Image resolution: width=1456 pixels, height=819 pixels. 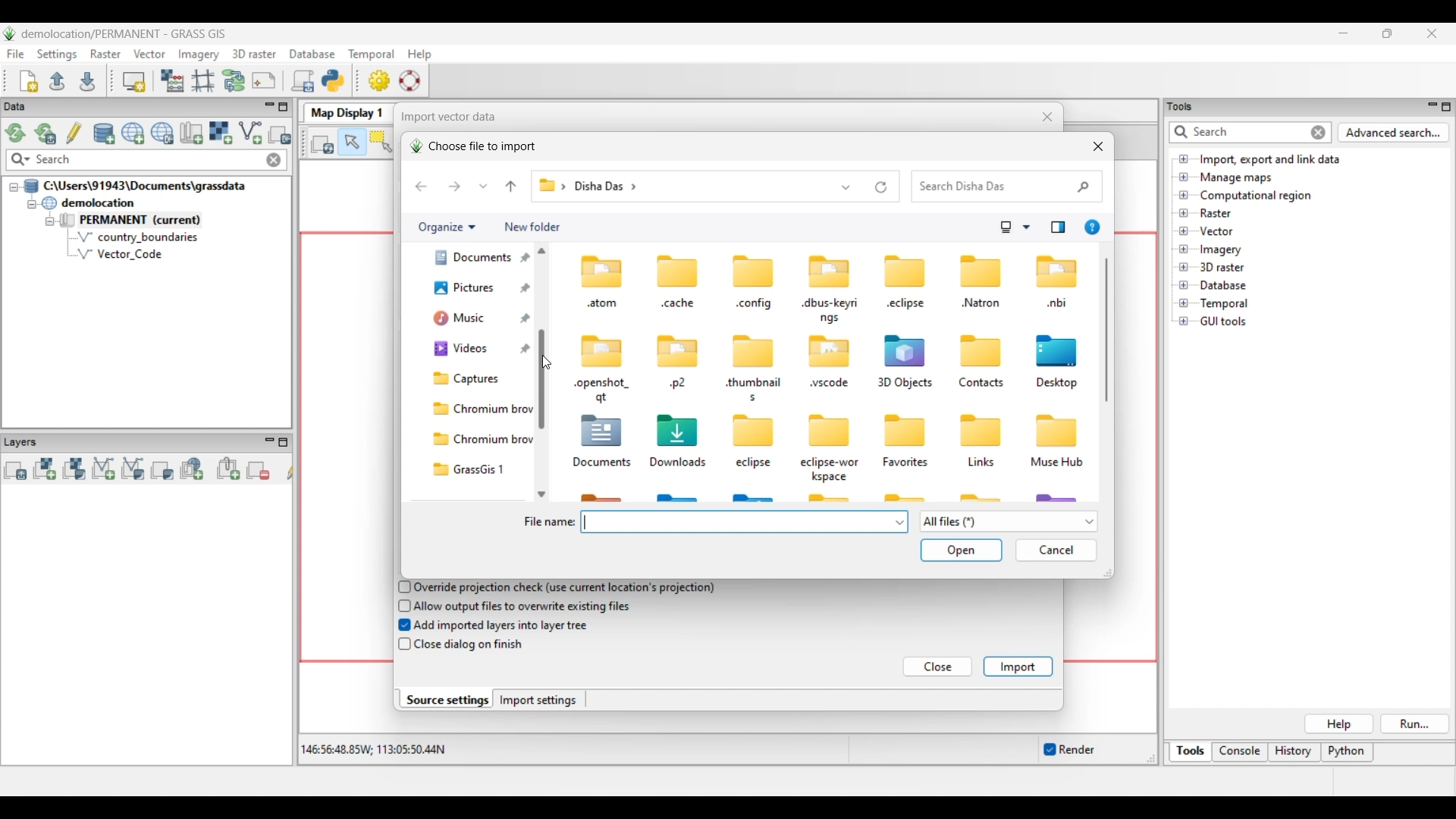 I want to click on Double click to see files under Imagery, so click(x=1220, y=250).